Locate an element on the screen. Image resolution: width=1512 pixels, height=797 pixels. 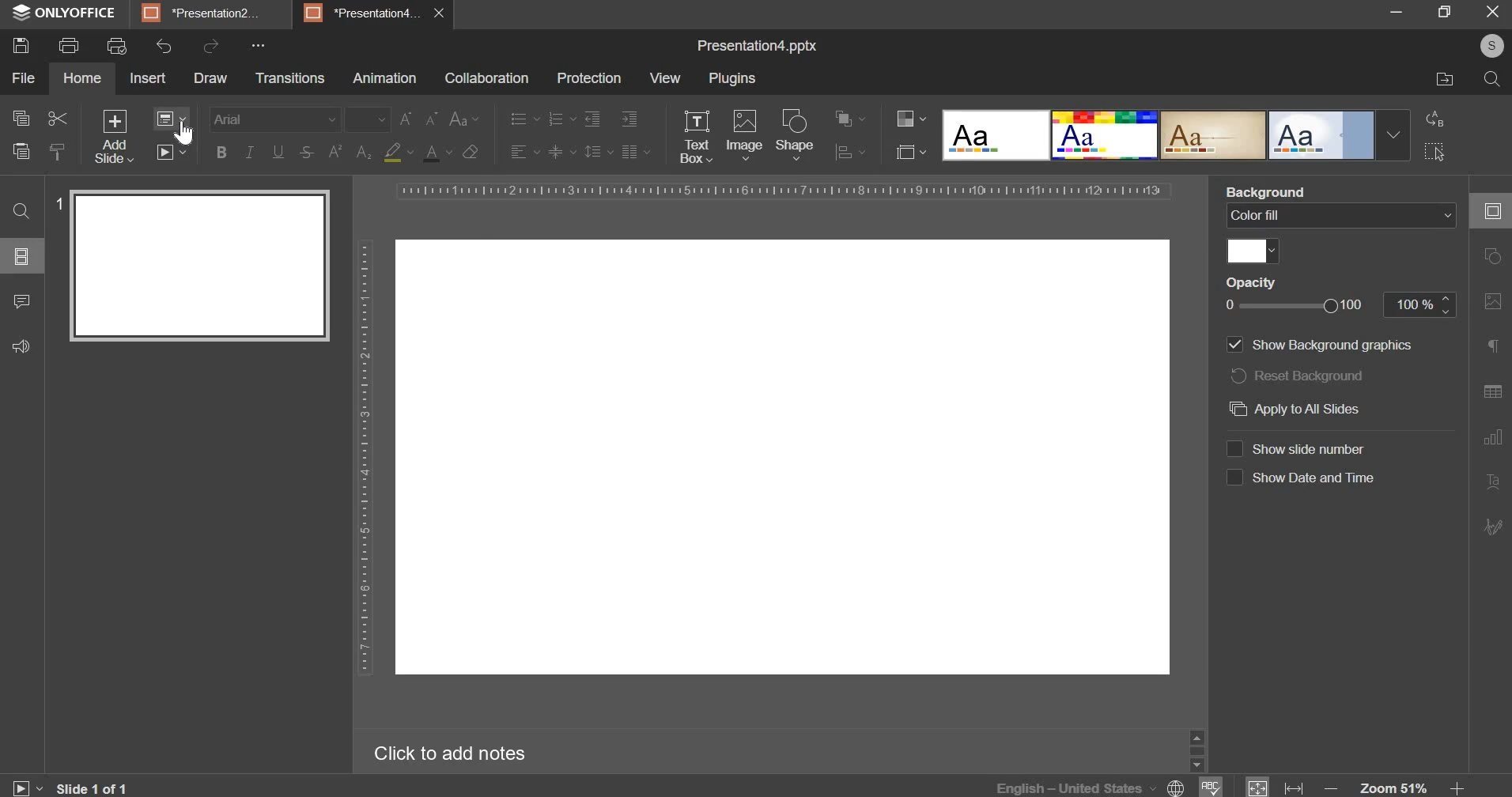
feedback is located at coordinates (22, 346).